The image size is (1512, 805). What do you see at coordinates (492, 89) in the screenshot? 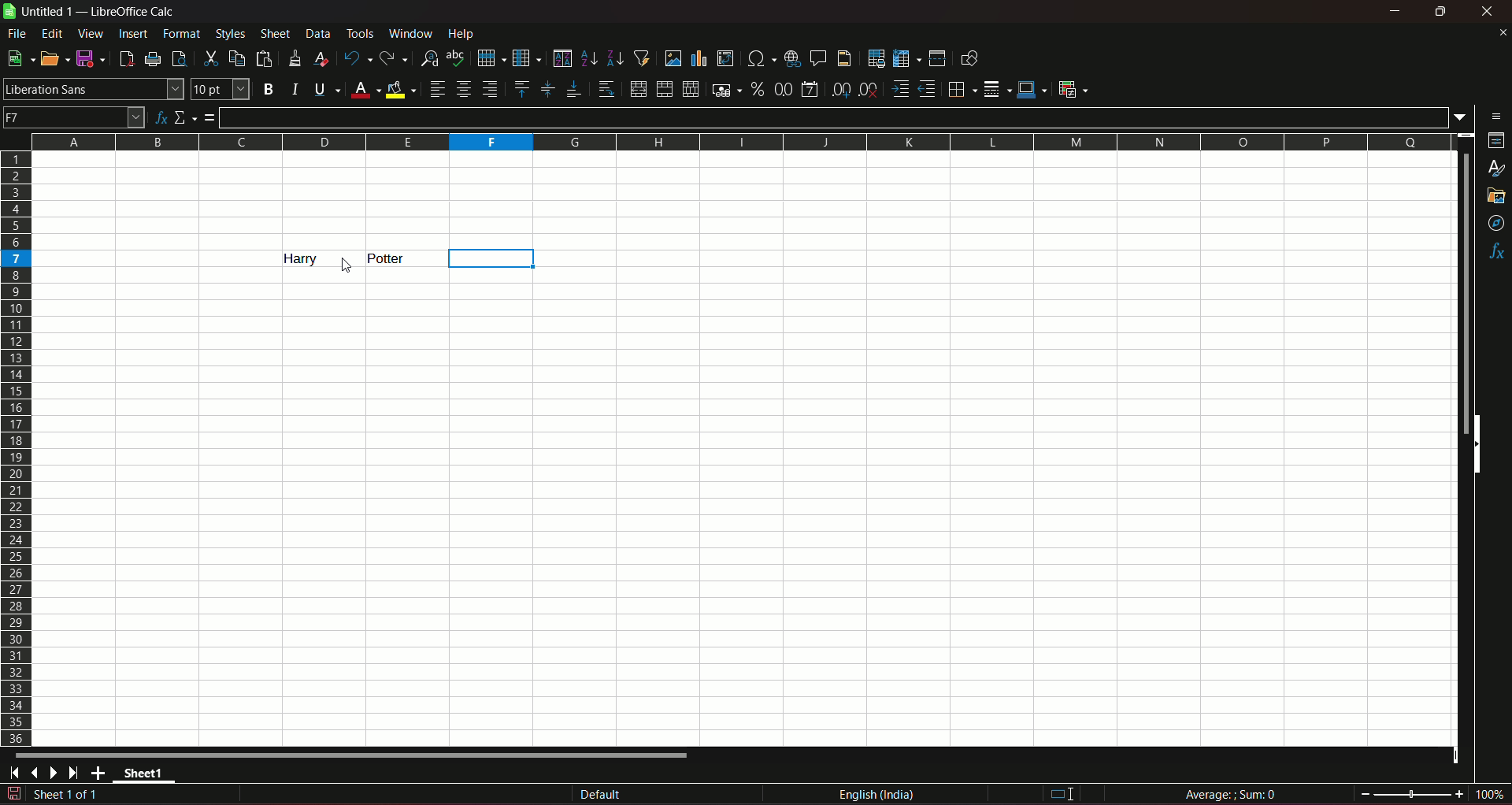
I see `align right` at bounding box center [492, 89].